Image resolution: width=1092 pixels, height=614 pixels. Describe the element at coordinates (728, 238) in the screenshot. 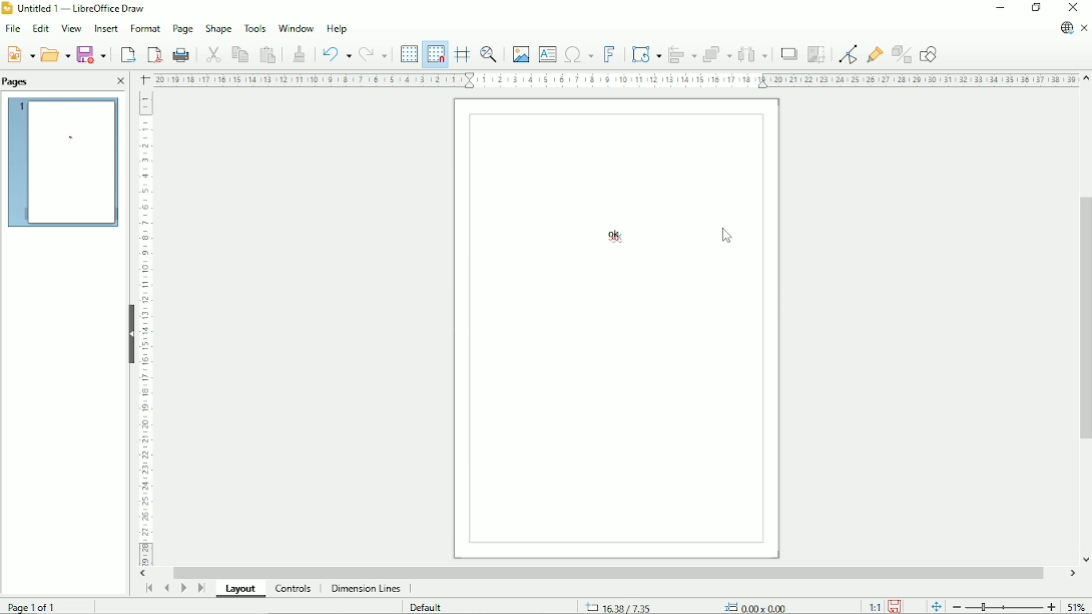

I see `Cursor` at that location.